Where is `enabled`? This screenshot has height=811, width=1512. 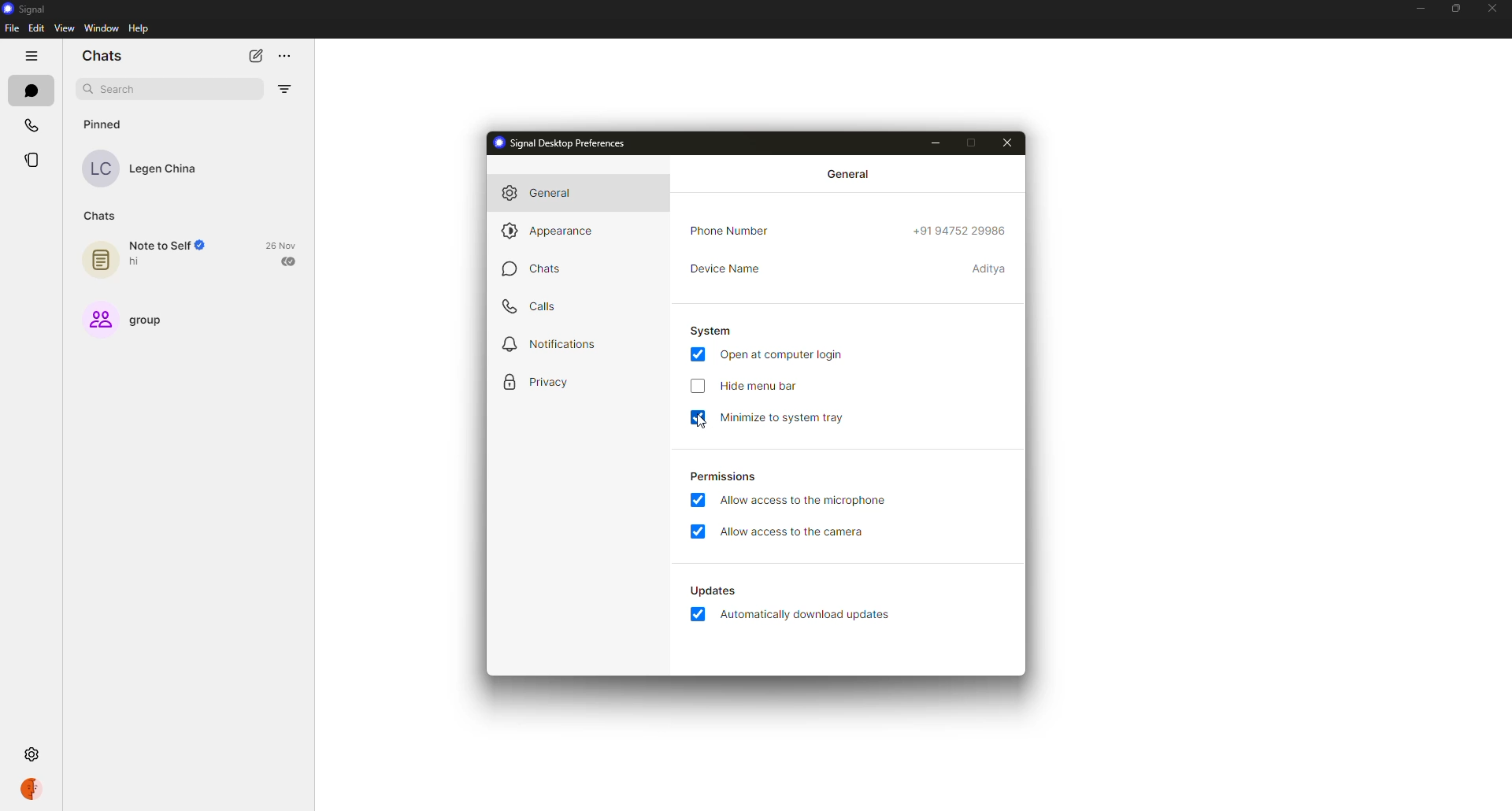
enabled is located at coordinates (701, 532).